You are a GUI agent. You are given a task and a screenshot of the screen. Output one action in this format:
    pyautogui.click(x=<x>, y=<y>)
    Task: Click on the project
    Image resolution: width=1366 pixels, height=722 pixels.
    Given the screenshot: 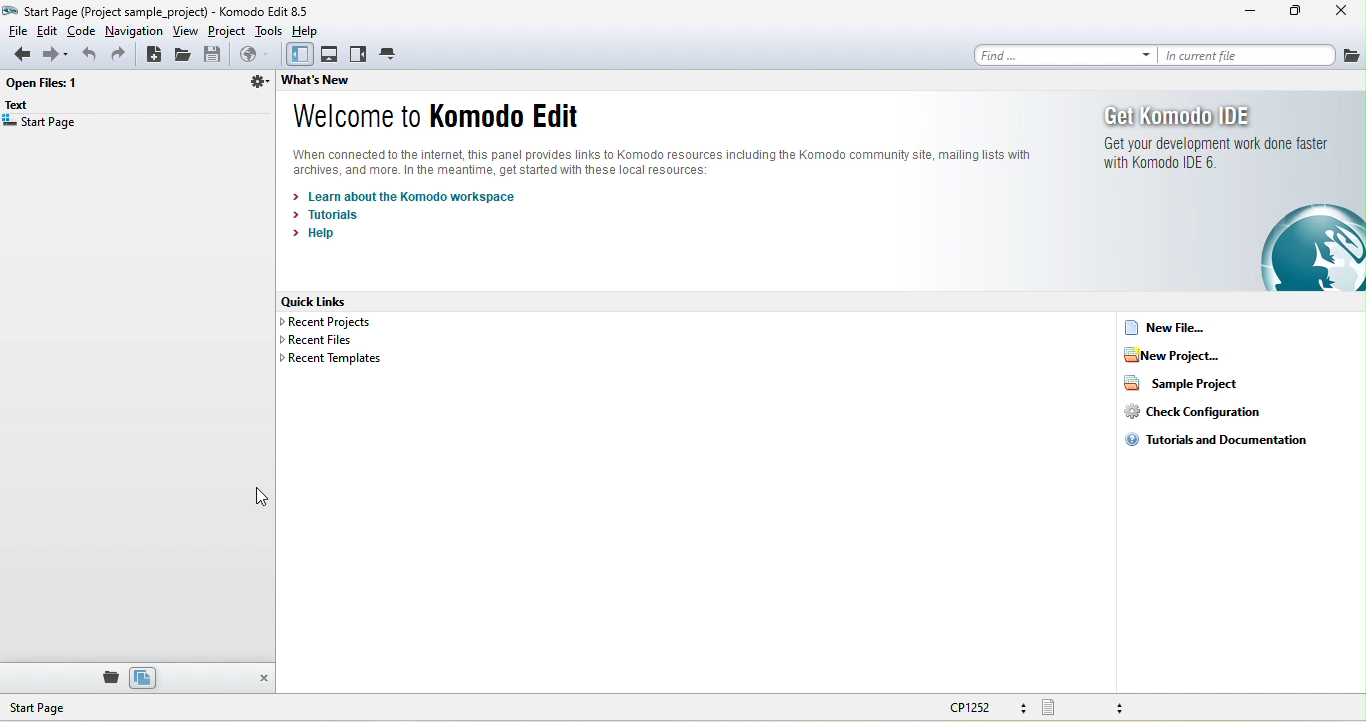 What is the action you would take?
    pyautogui.click(x=228, y=31)
    